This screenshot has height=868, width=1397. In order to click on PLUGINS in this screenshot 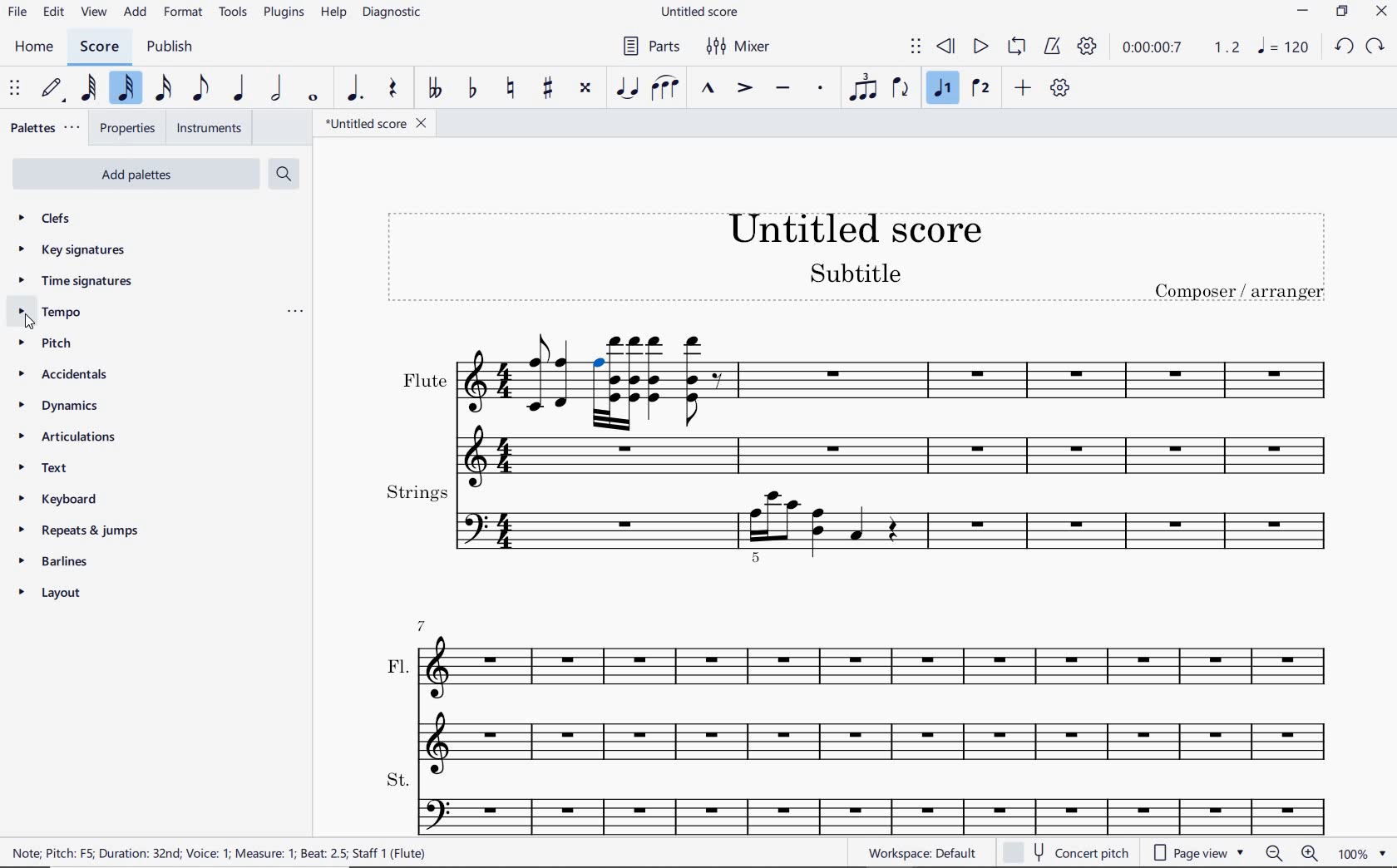, I will do `click(283, 12)`.